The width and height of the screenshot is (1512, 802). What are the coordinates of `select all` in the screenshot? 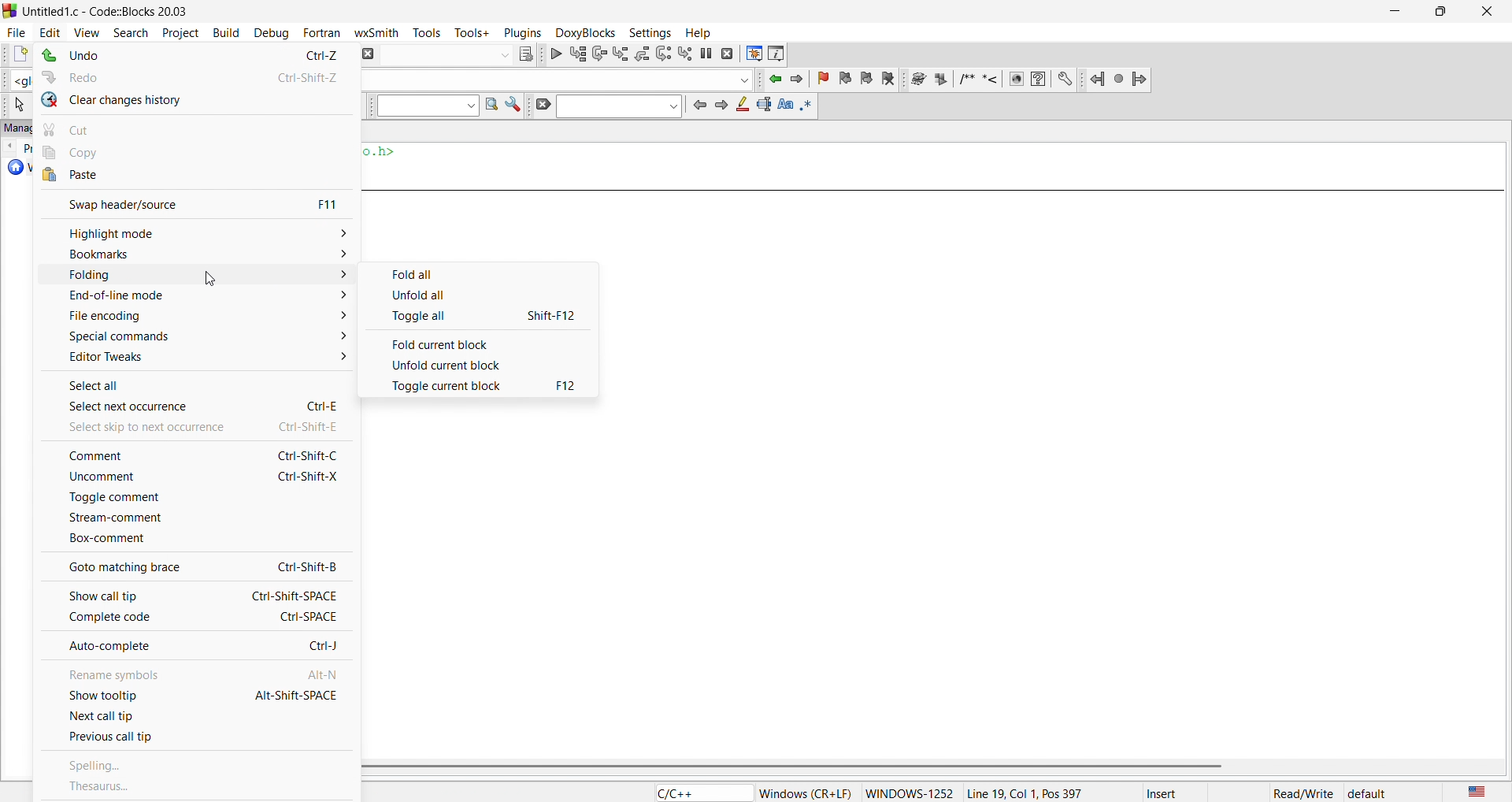 It's located at (197, 381).